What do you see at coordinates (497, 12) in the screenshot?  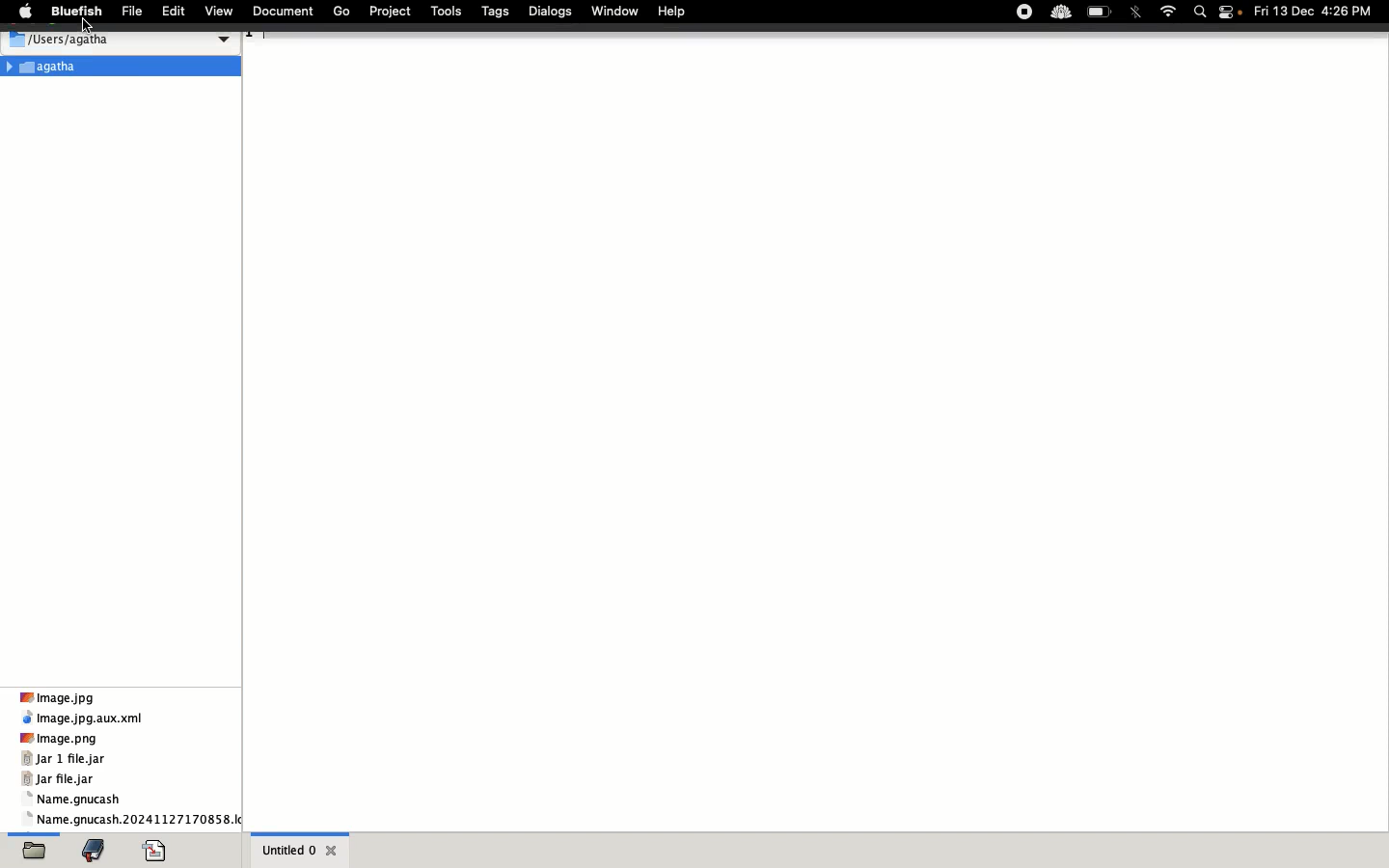 I see `Tags` at bounding box center [497, 12].